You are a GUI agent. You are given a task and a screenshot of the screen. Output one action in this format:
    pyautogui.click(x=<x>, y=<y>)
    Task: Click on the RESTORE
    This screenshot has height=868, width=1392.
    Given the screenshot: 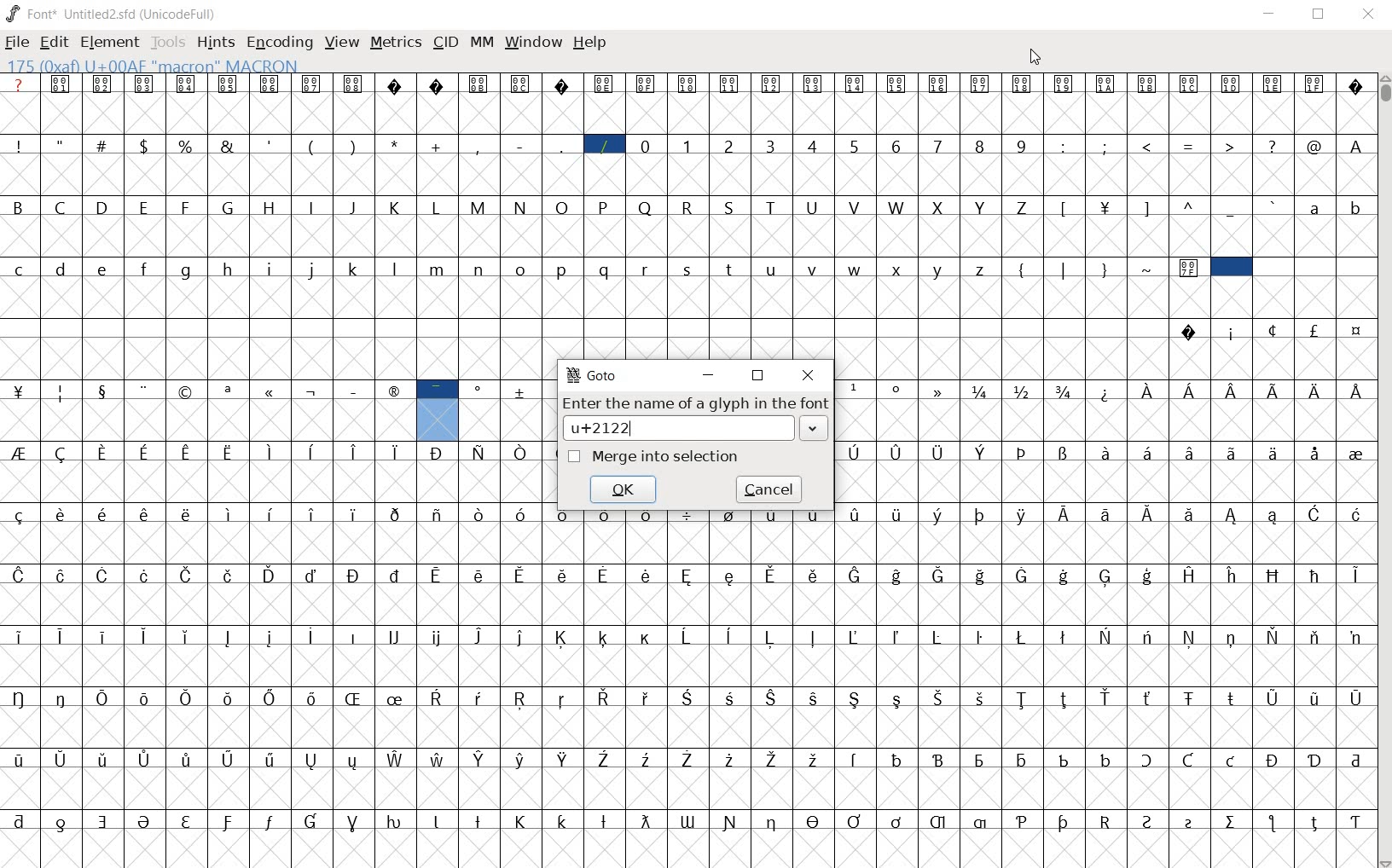 What is the action you would take?
    pyautogui.click(x=1318, y=16)
    